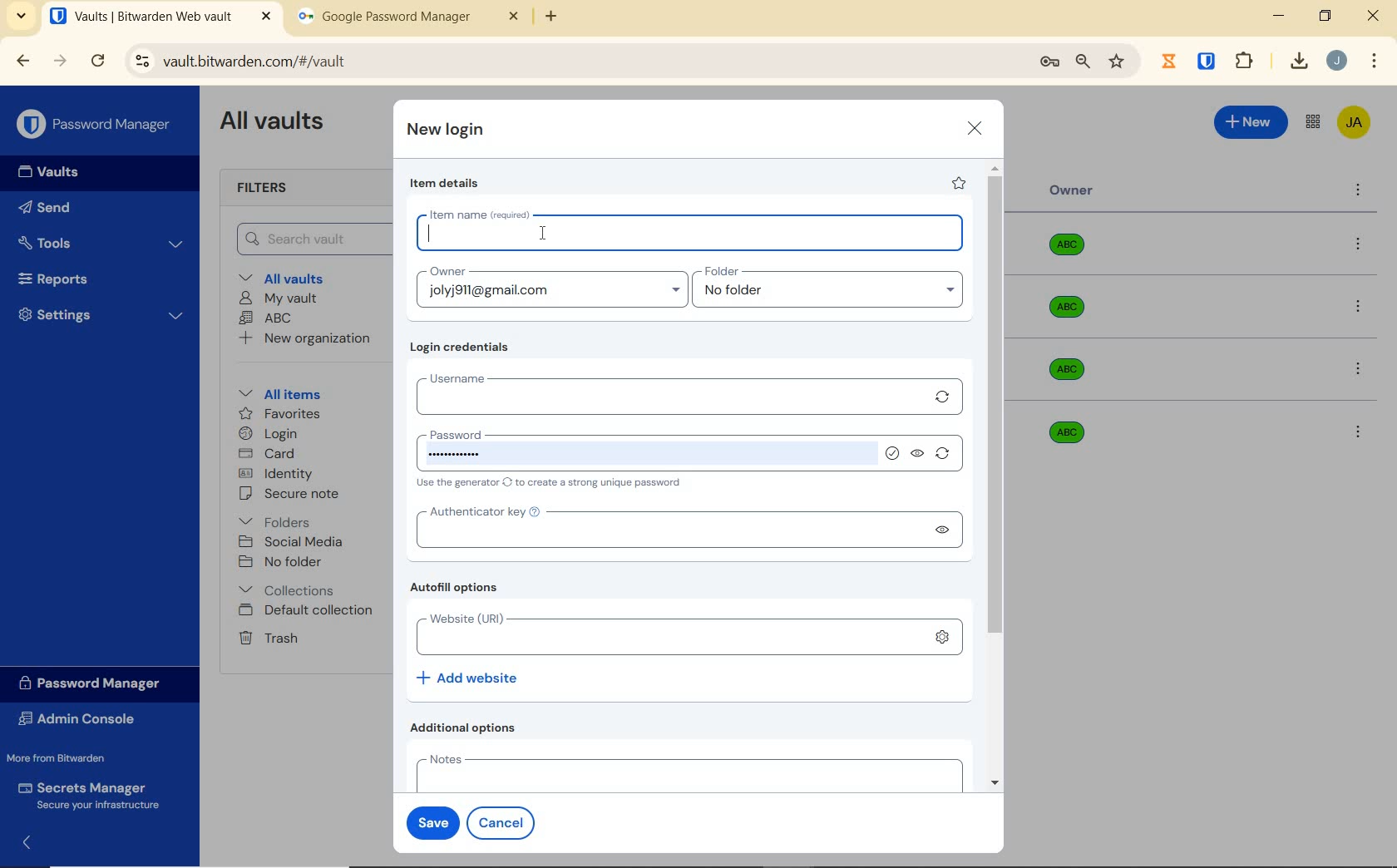 This screenshot has width=1397, height=868. What do you see at coordinates (1082, 62) in the screenshot?
I see `zoom` at bounding box center [1082, 62].